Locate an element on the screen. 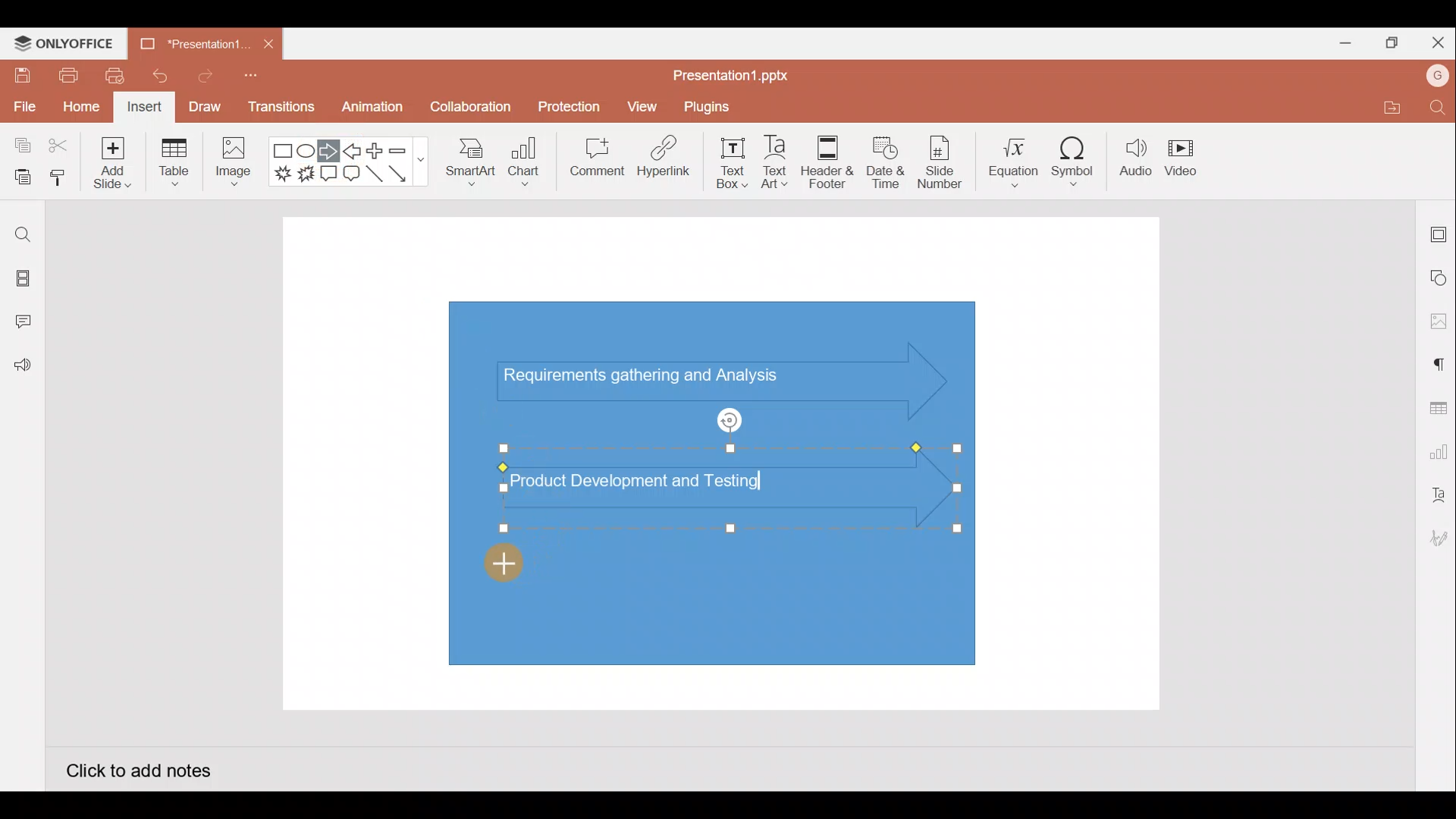 This screenshot has height=819, width=1456. Comment is located at coordinates (591, 160).